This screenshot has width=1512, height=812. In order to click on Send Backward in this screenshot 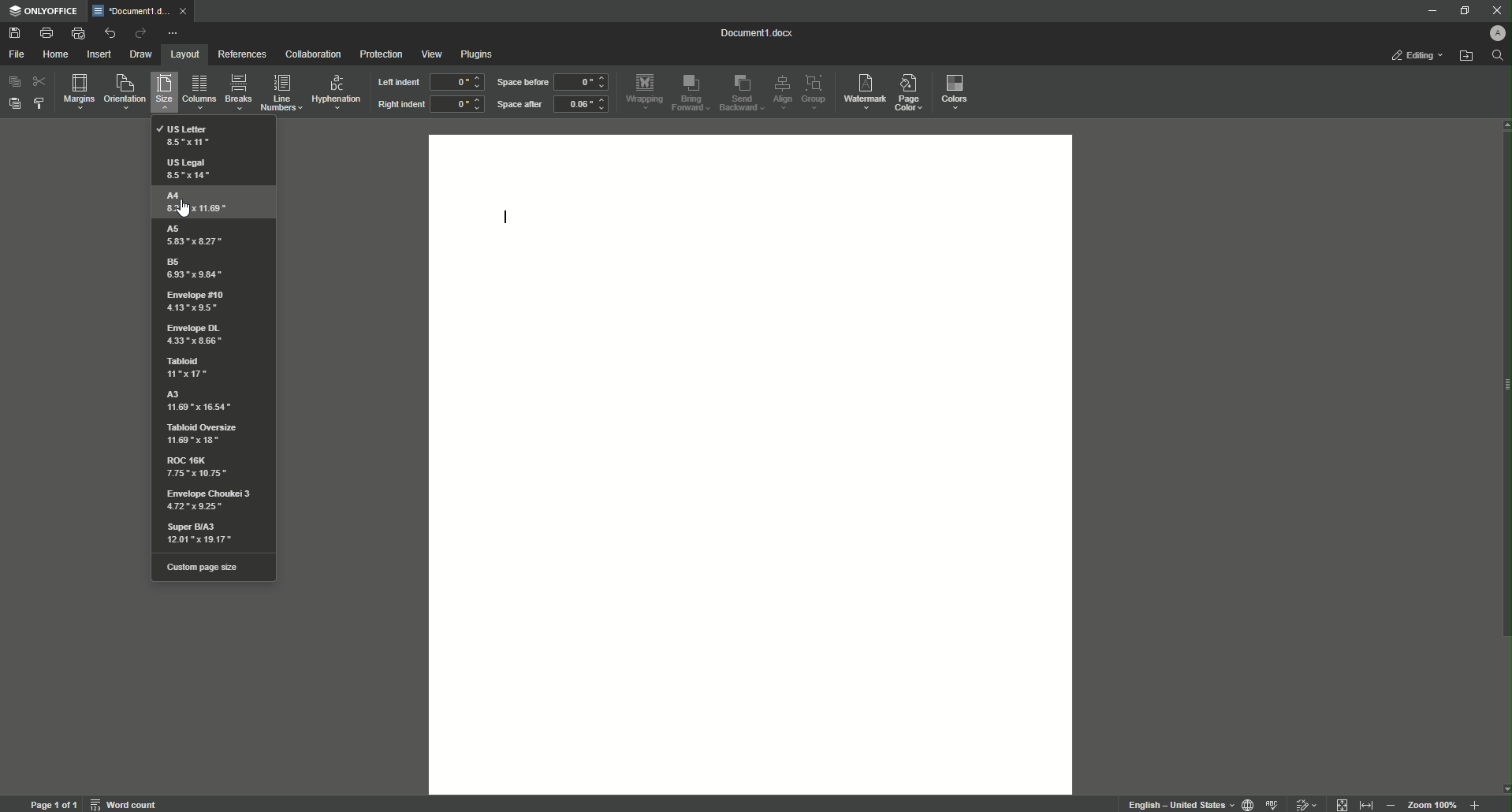, I will do `click(740, 93)`.